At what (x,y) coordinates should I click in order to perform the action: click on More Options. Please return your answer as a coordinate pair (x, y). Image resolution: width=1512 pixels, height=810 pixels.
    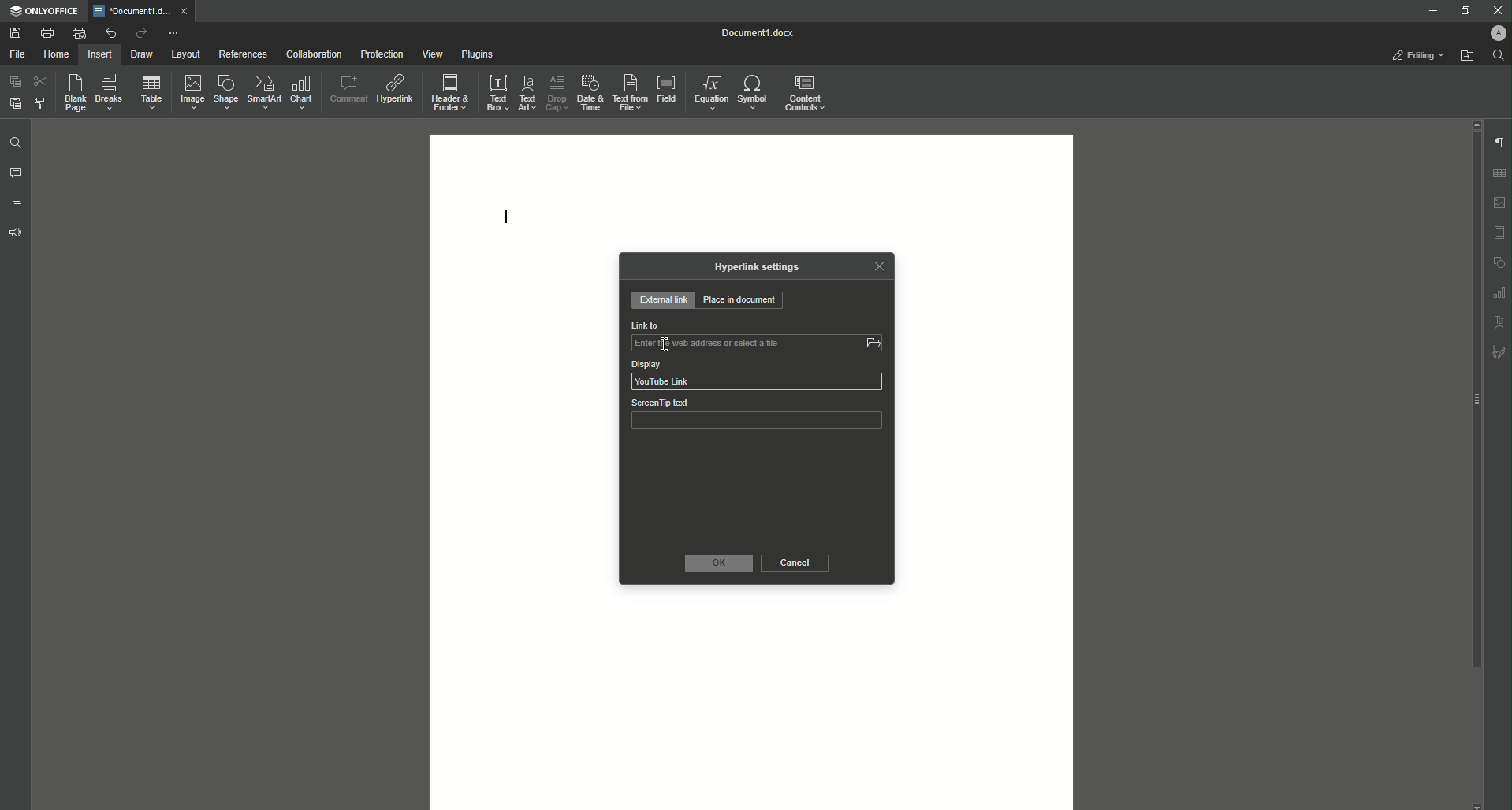
    Looking at the image, I should click on (175, 34).